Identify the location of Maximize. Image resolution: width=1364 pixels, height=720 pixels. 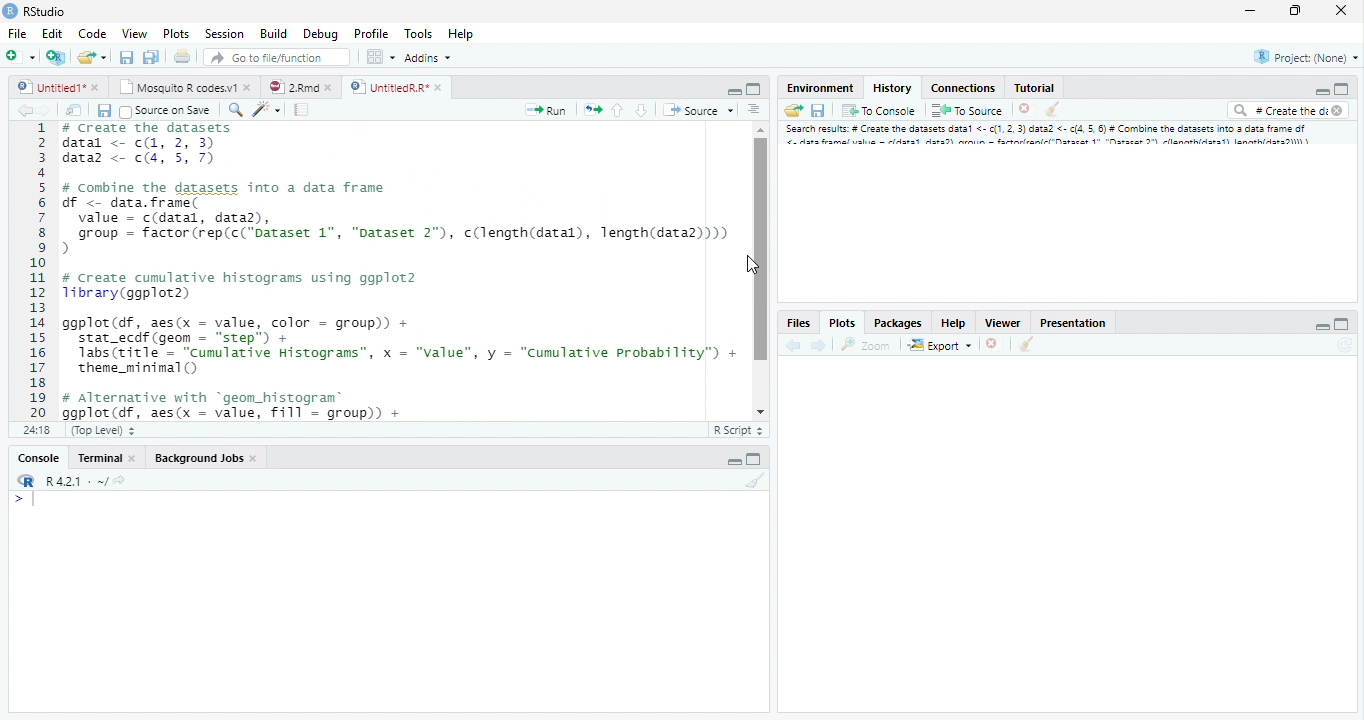
(1344, 323).